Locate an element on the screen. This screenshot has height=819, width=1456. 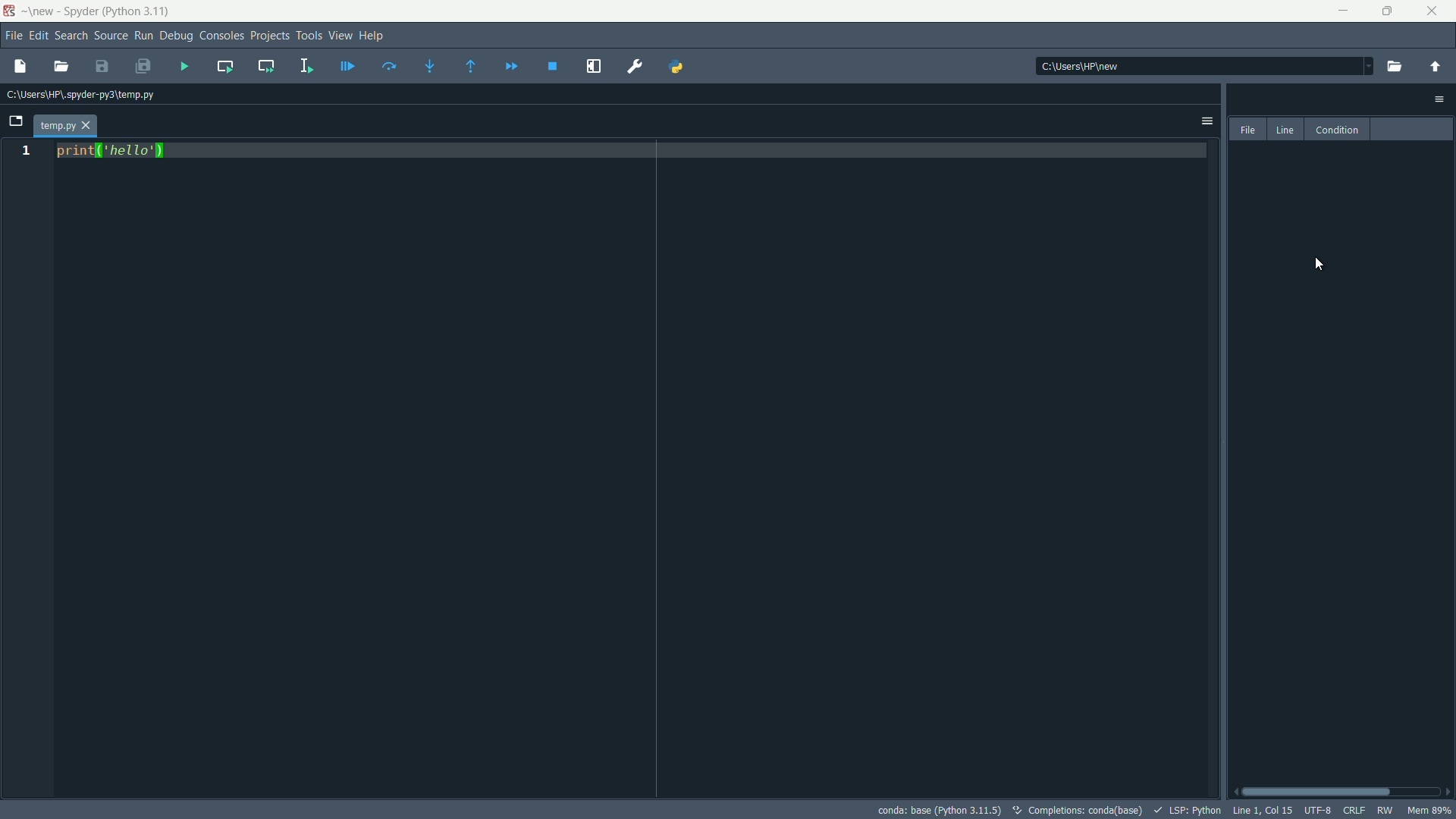
run current cell is located at coordinates (225, 67).